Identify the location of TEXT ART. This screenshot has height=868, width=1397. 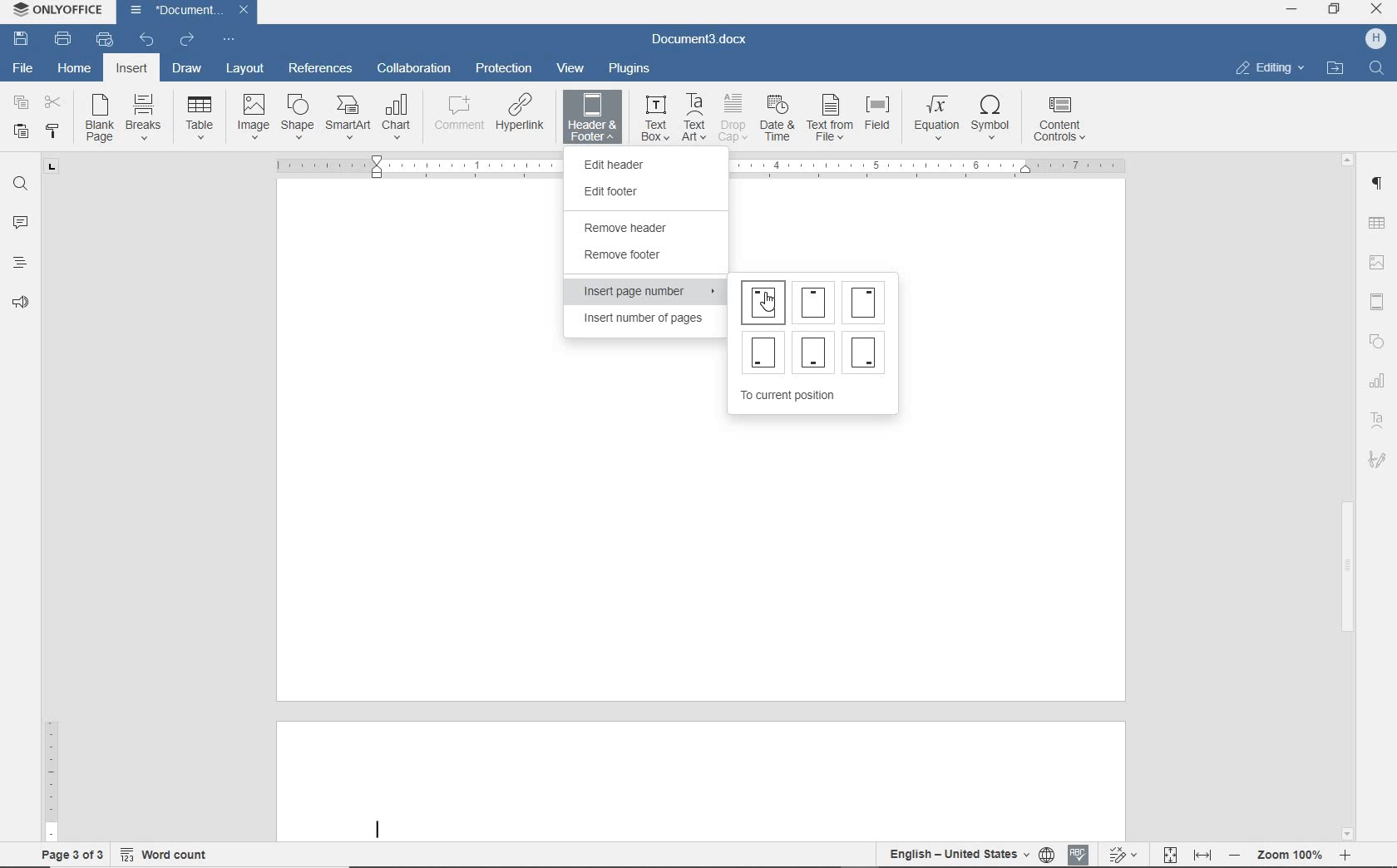
(695, 117).